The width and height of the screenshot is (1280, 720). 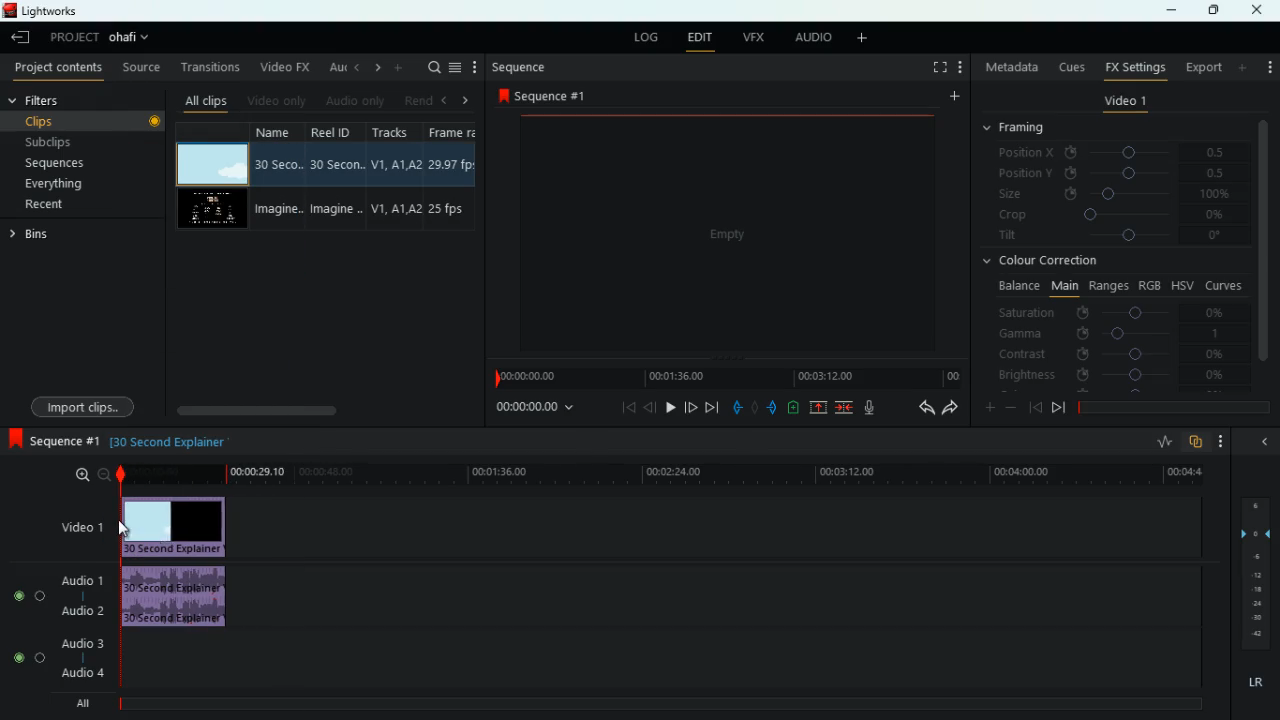 I want to click on audio, so click(x=810, y=38).